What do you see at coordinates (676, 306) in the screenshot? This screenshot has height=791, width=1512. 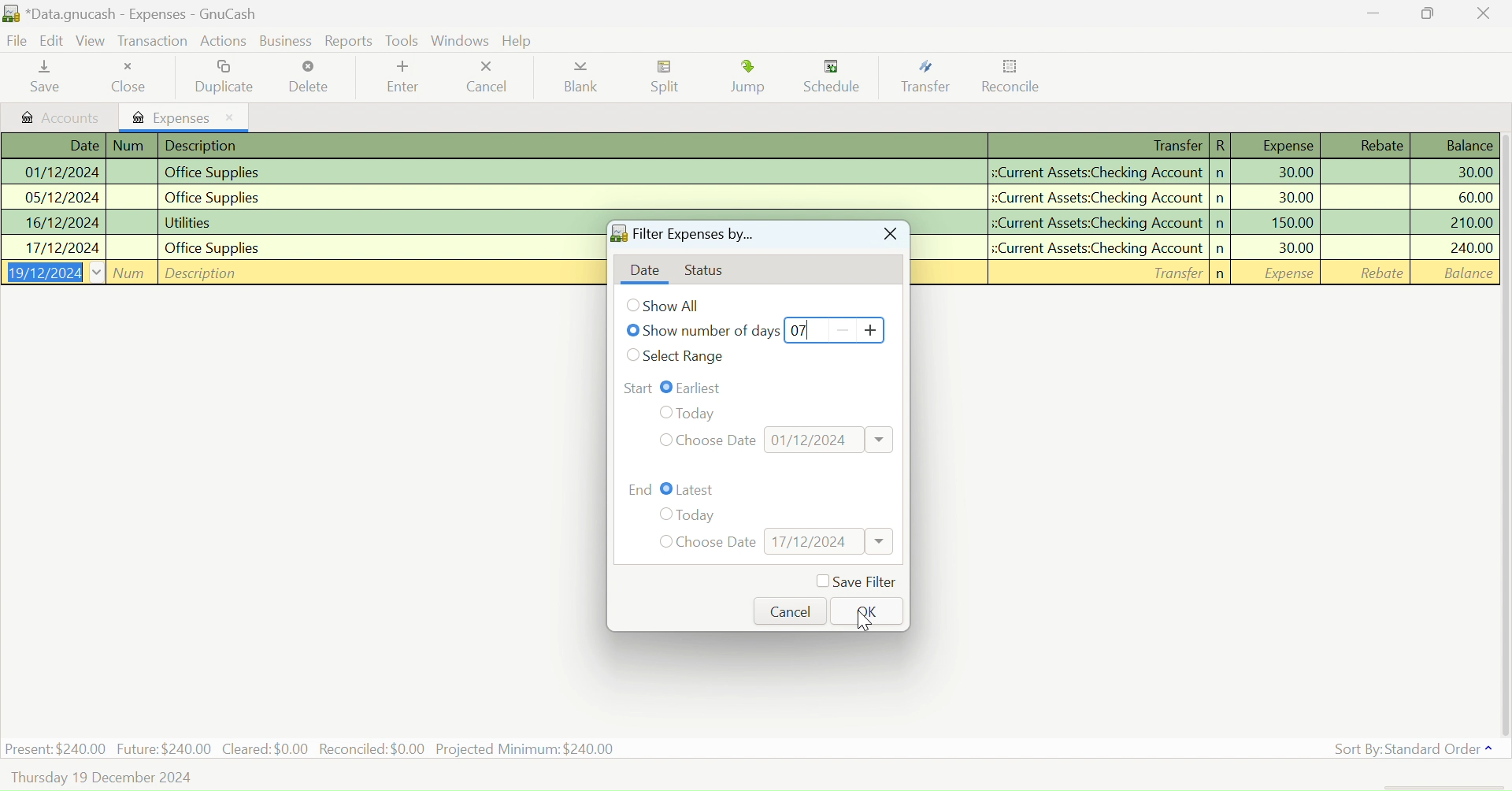 I see `Show All` at bounding box center [676, 306].